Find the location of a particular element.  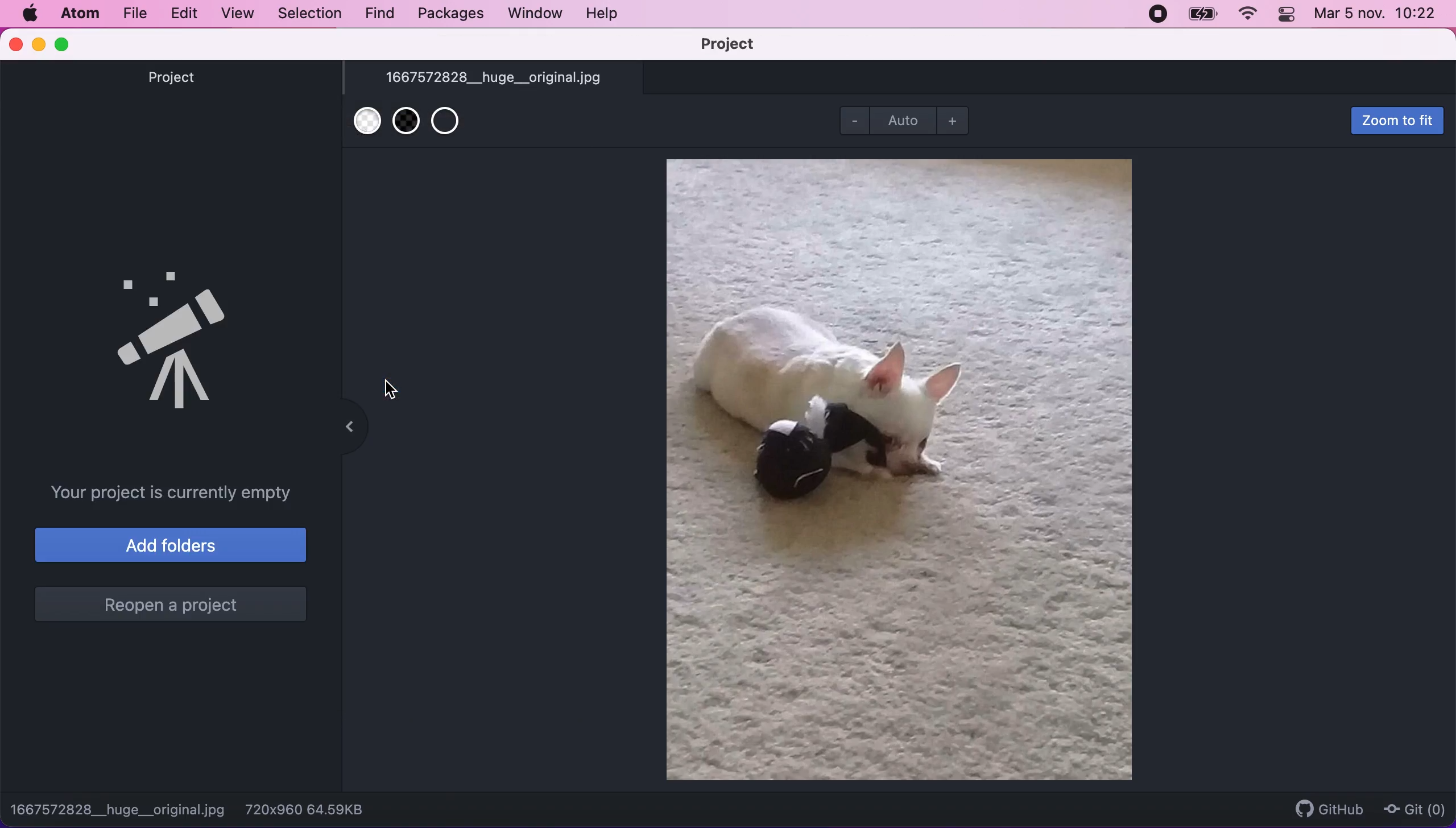

project  is located at coordinates (725, 44).